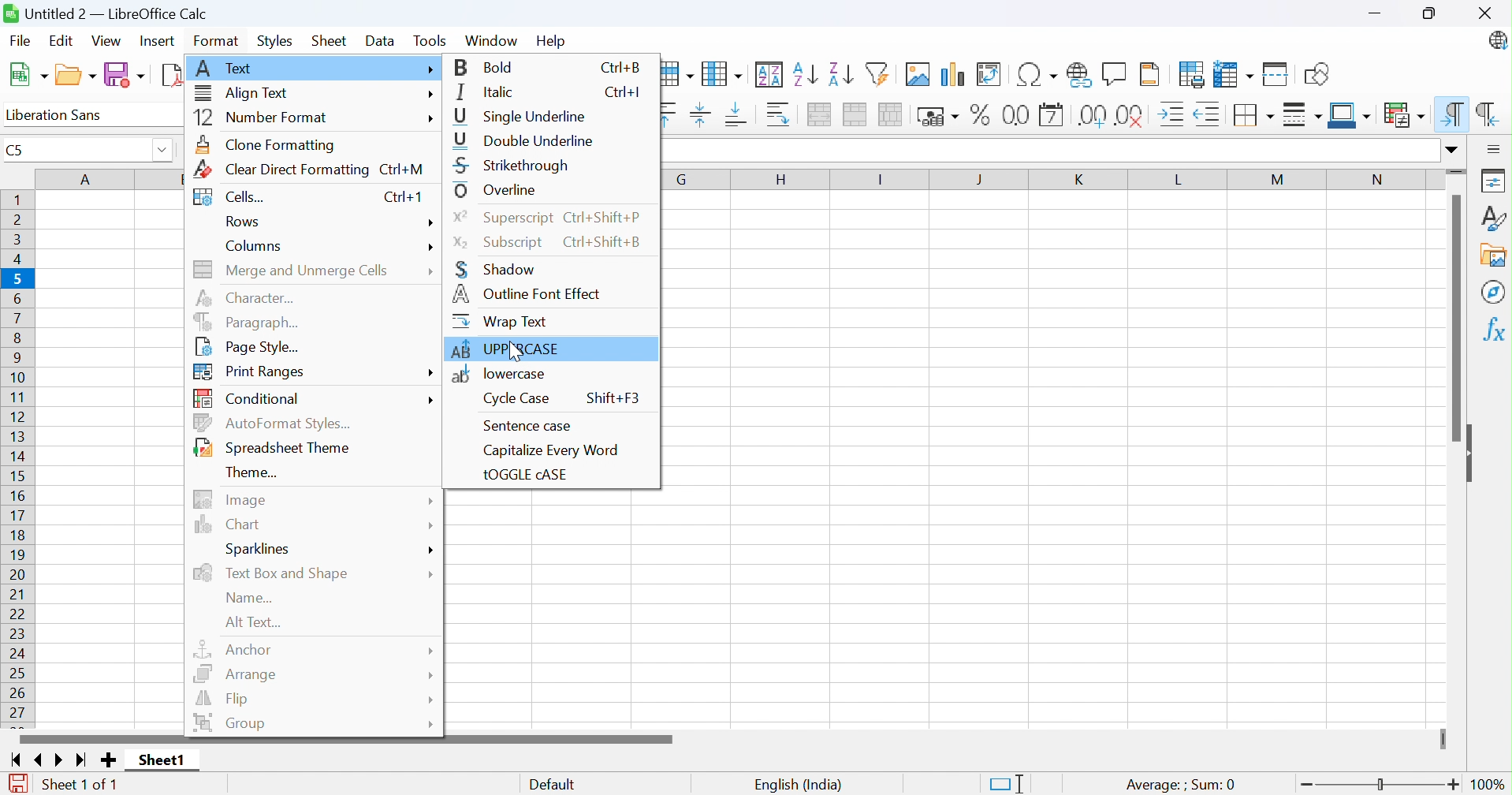 This screenshot has height=795, width=1512. What do you see at coordinates (428, 699) in the screenshot?
I see `More` at bounding box center [428, 699].